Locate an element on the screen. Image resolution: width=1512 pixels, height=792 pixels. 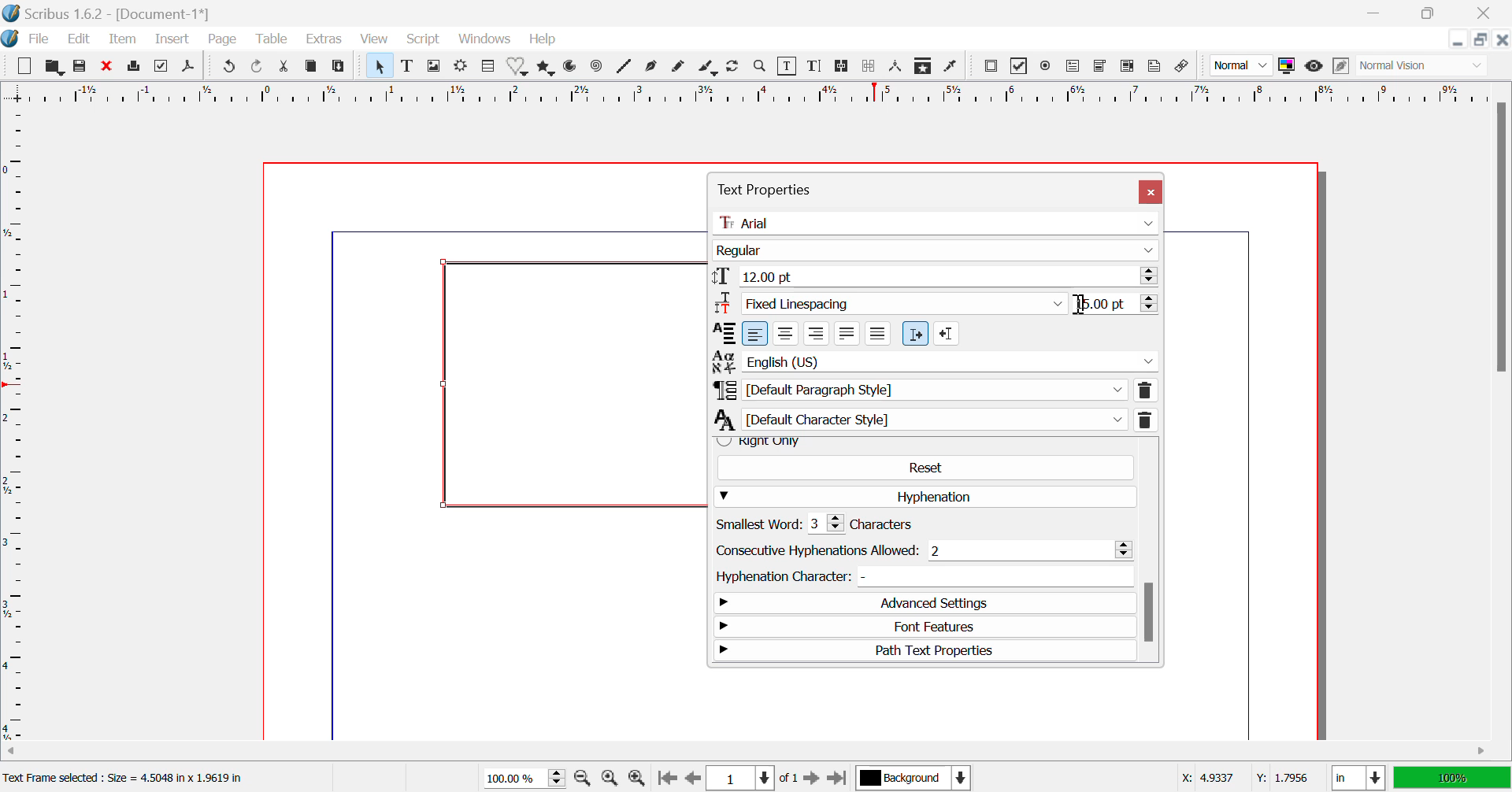
Table is located at coordinates (272, 41).